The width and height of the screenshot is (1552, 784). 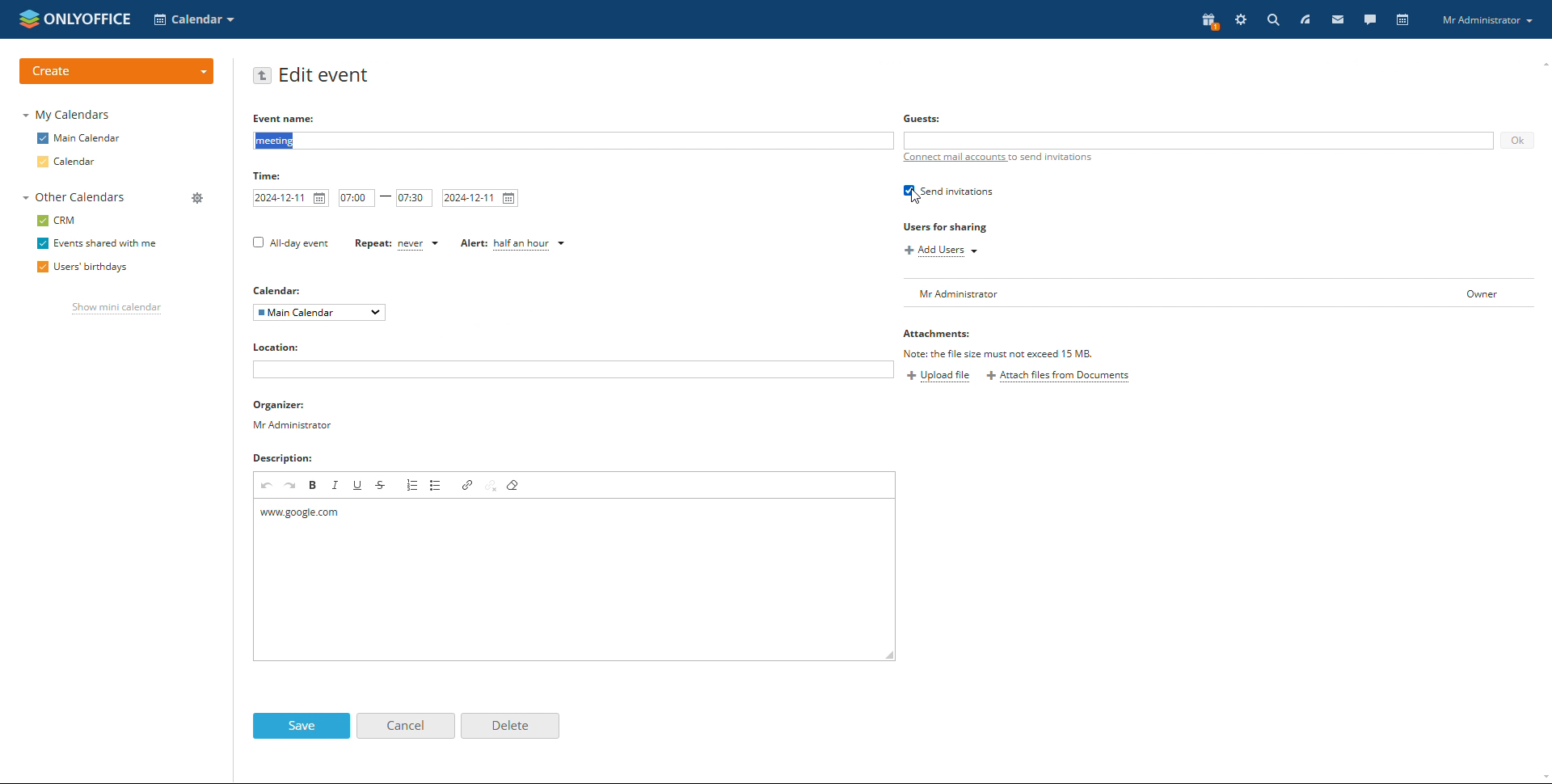 What do you see at coordinates (481, 199) in the screenshot?
I see `end date` at bounding box center [481, 199].